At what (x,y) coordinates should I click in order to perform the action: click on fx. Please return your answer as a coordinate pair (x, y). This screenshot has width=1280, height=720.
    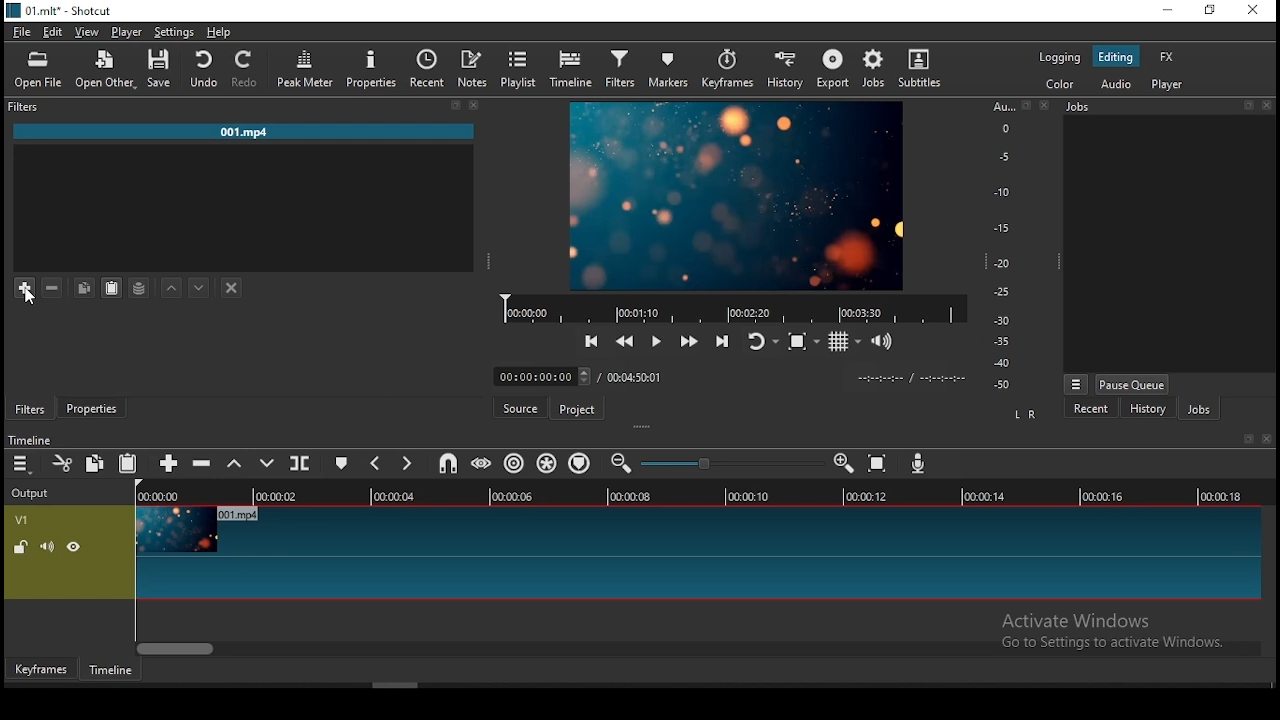
    Looking at the image, I should click on (1165, 57).